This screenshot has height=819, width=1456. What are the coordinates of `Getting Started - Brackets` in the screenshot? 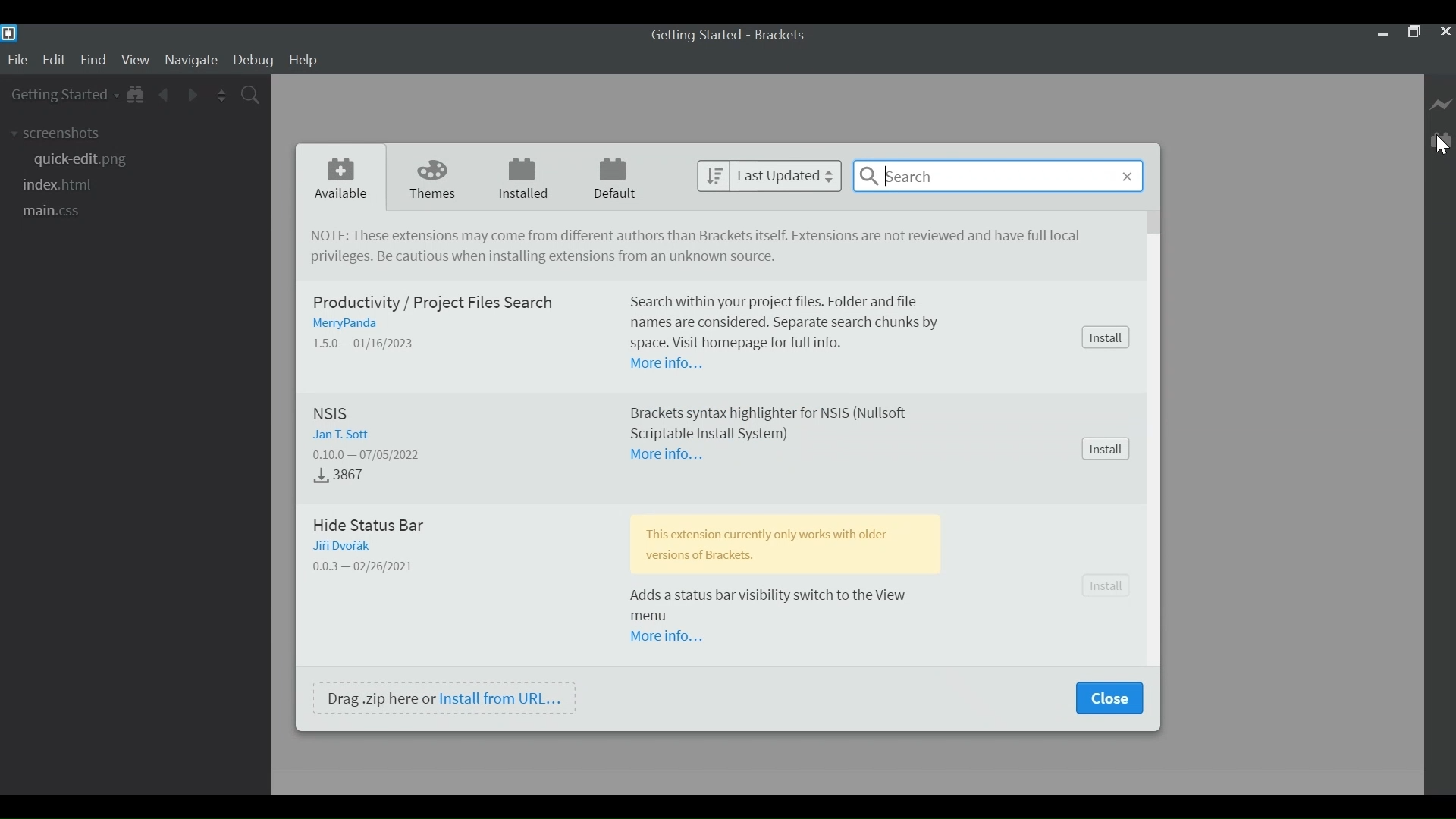 It's located at (697, 36).